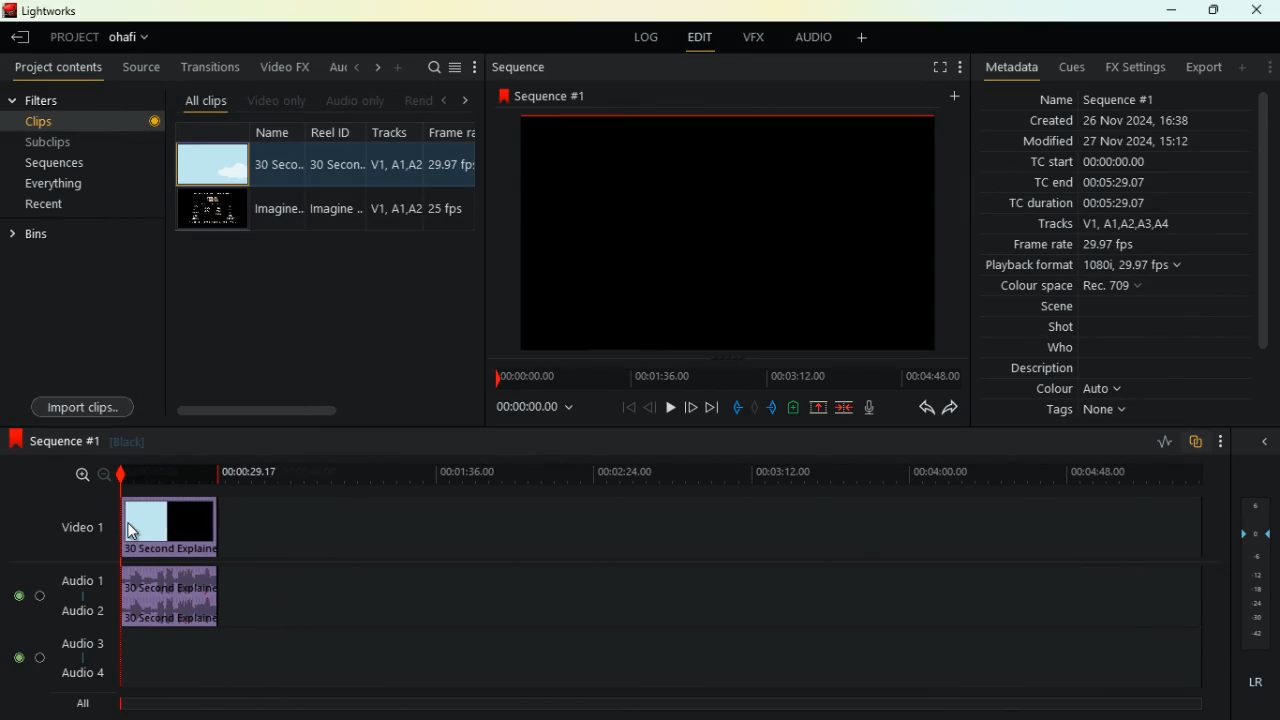  I want to click on log, so click(642, 39).